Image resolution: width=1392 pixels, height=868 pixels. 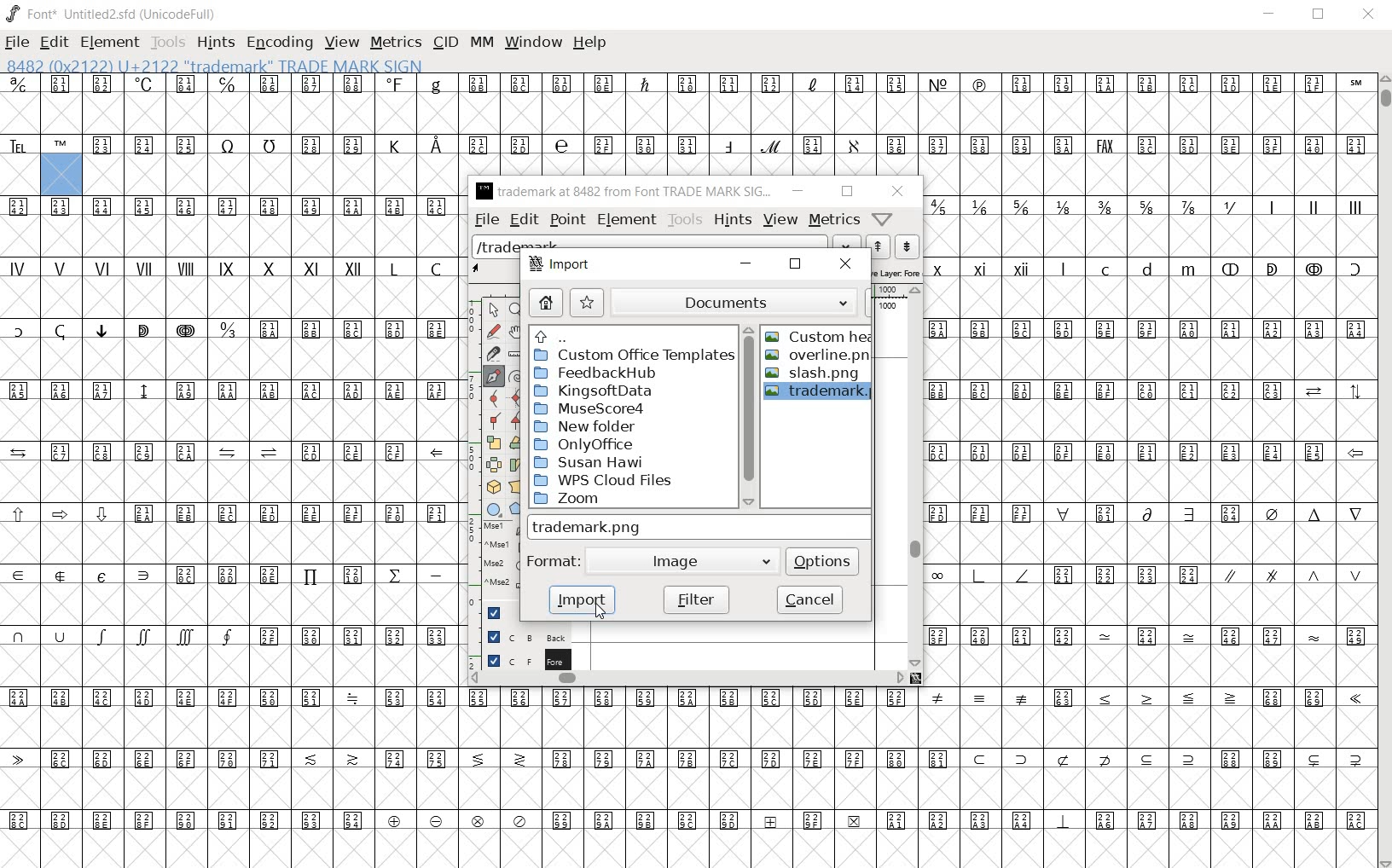 I want to click on active layer: foreground, so click(x=896, y=273).